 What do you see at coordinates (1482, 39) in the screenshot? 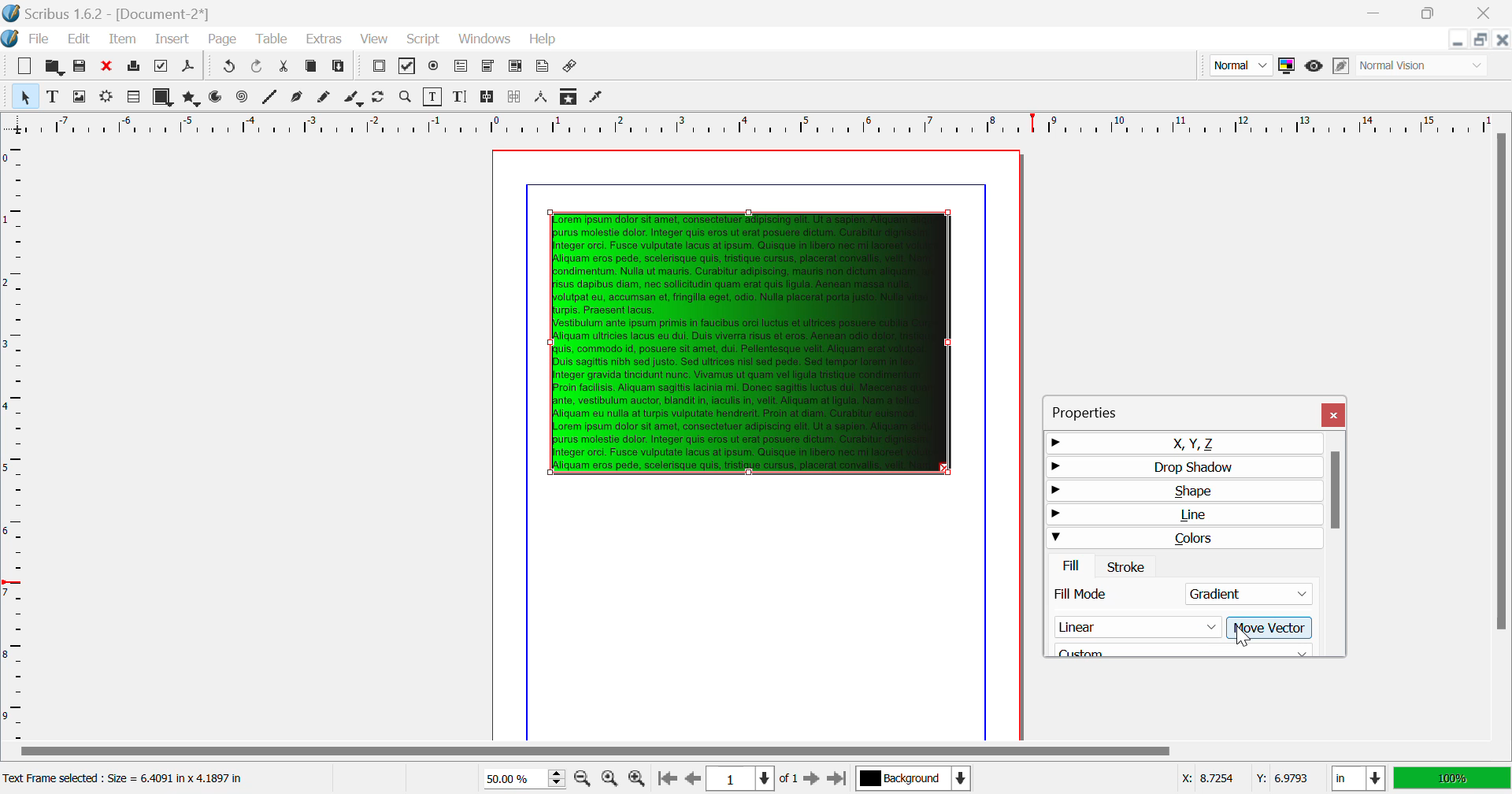
I see `Minimize` at bounding box center [1482, 39].